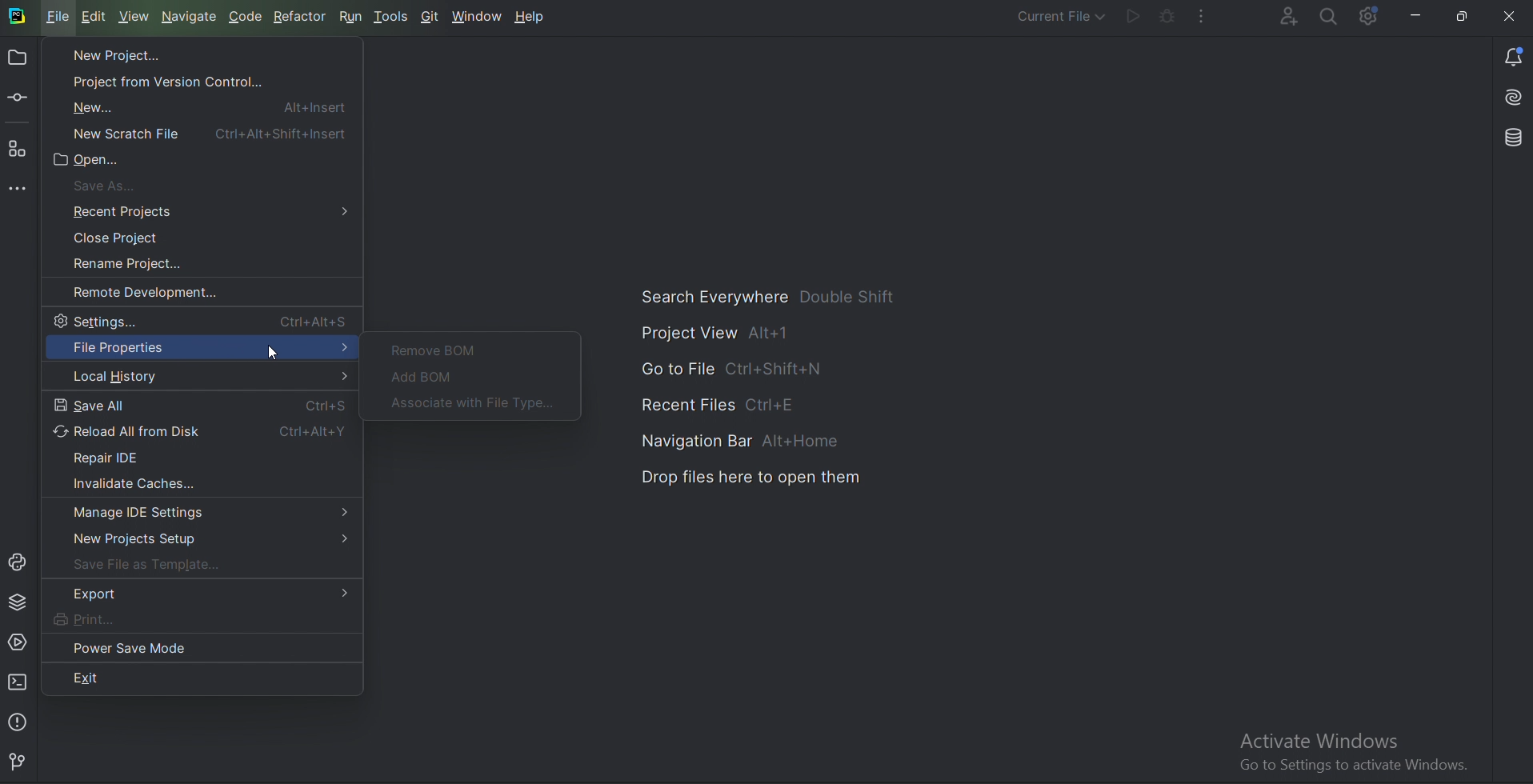 The image size is (1533, 784). Describe the element at coordinates (128, 677) in the screenshot. I see `Exit` at that location.